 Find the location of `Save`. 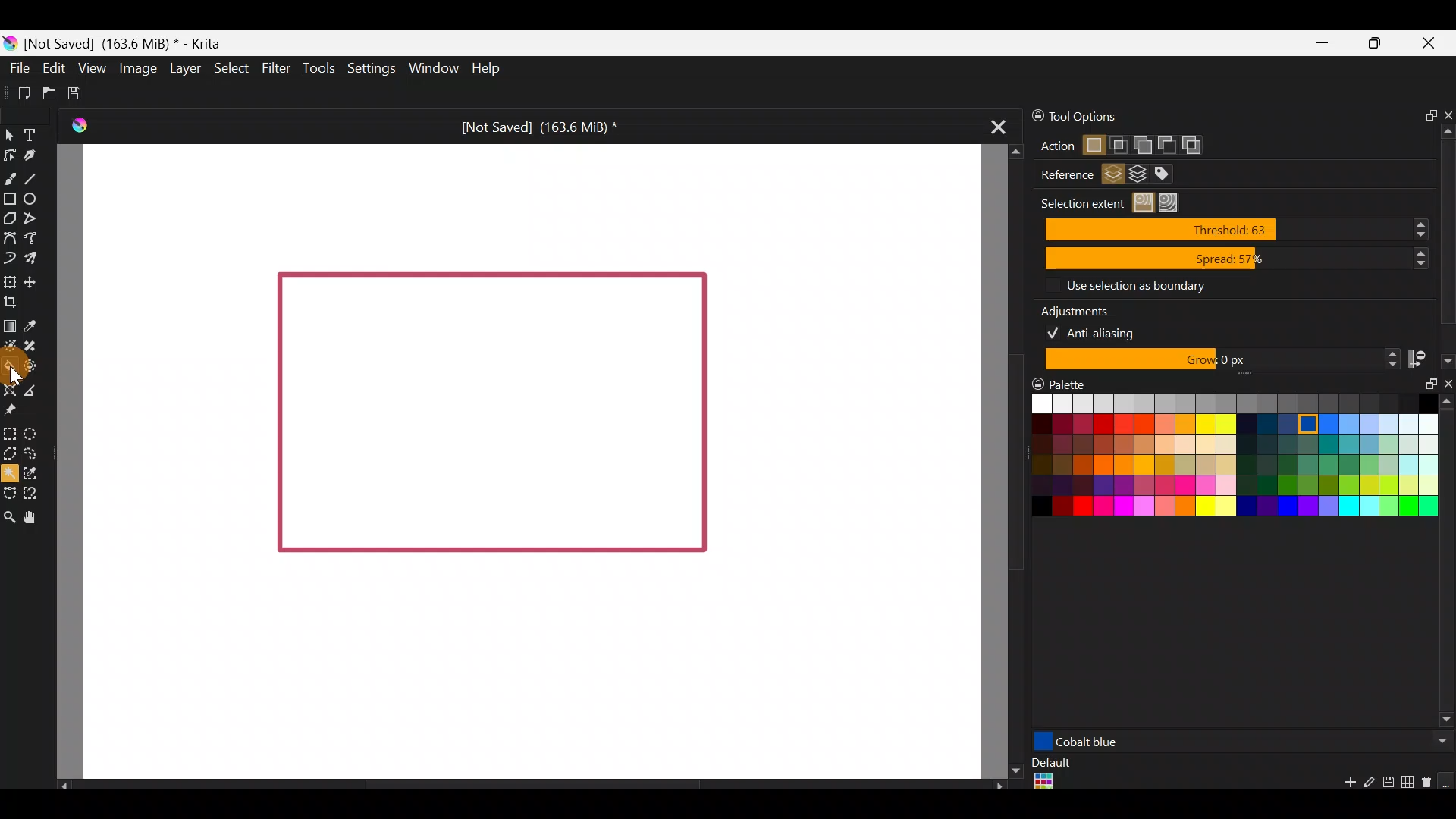

Save is located at coordinates (80, 94).